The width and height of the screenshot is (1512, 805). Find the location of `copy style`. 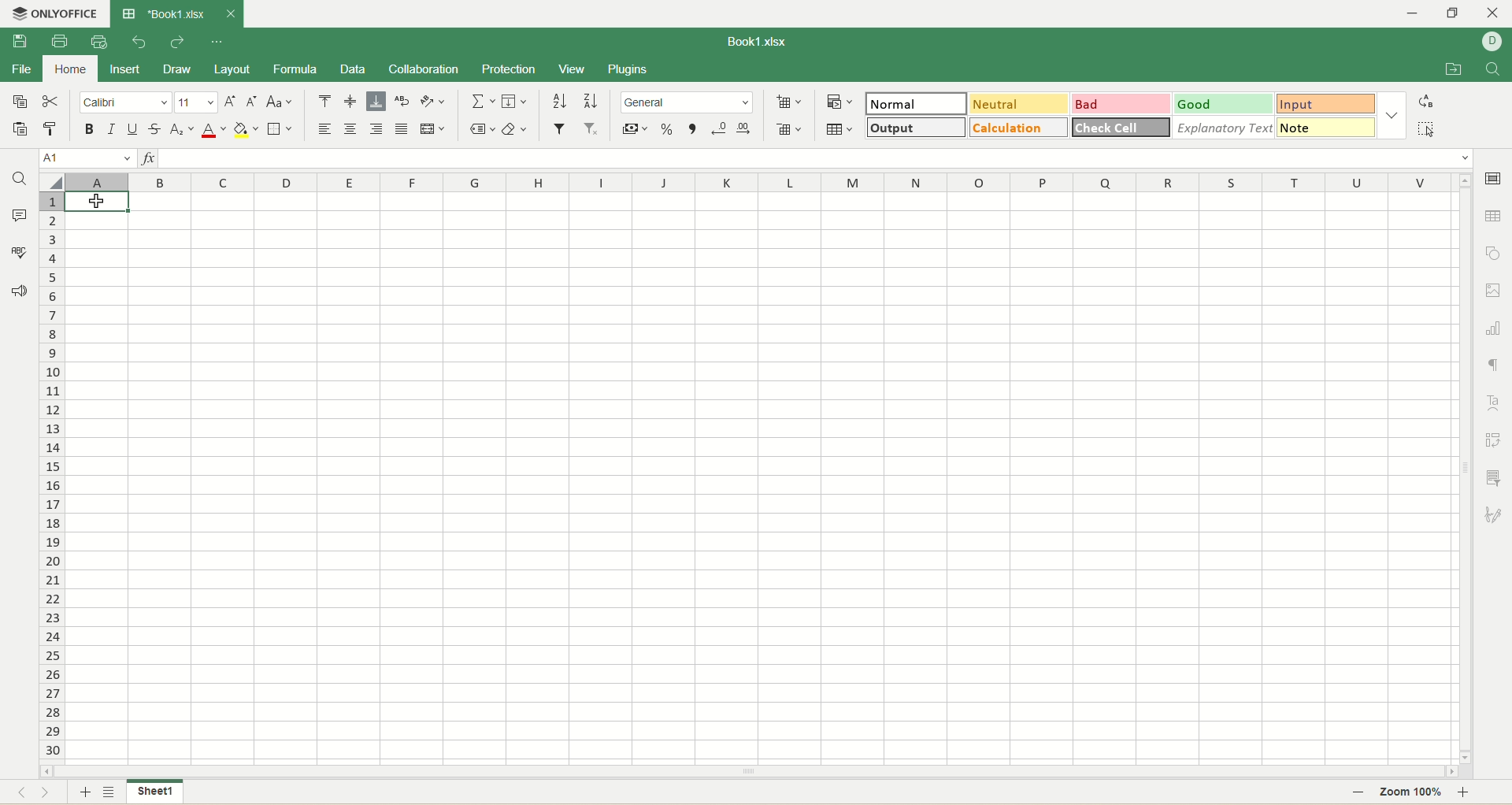

copy style is located at coordinates (50, 132).